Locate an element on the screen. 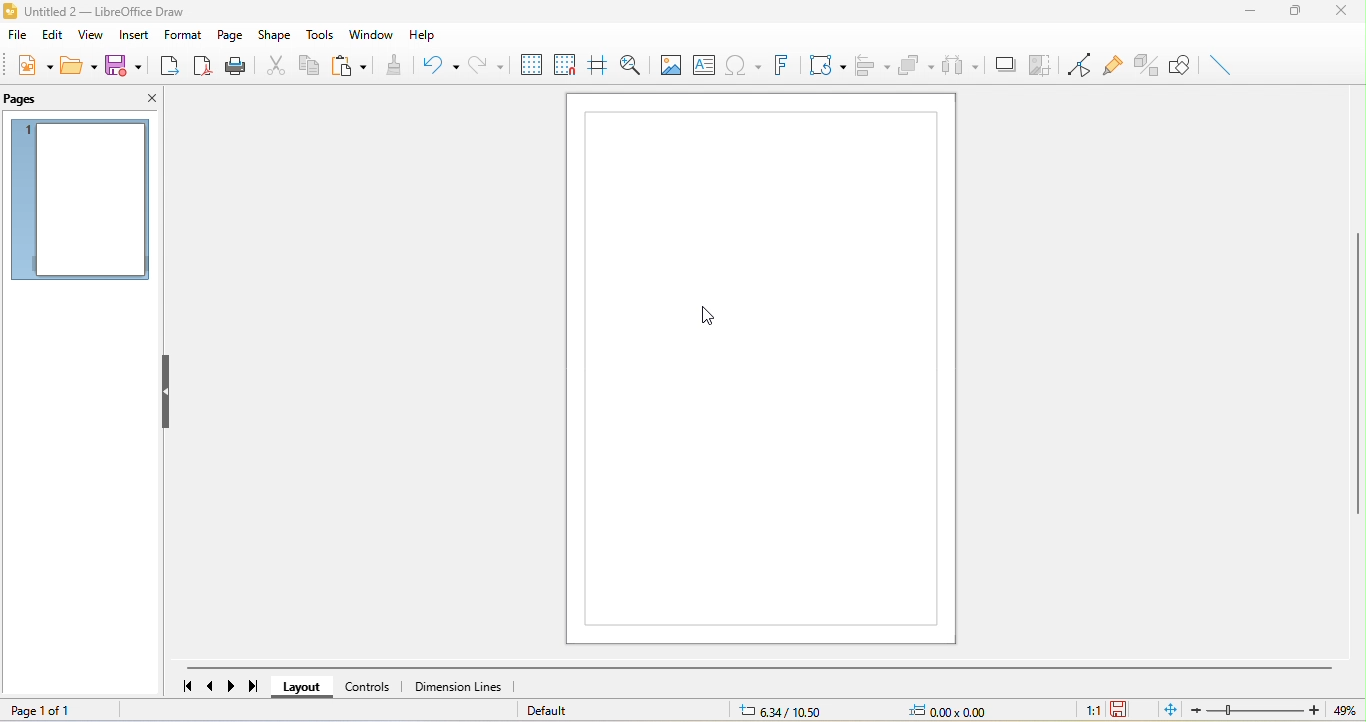 Image resolution: width=1366 pixels, height=722 pixels. page 1 of 1 is located at coordinates (47, 708).